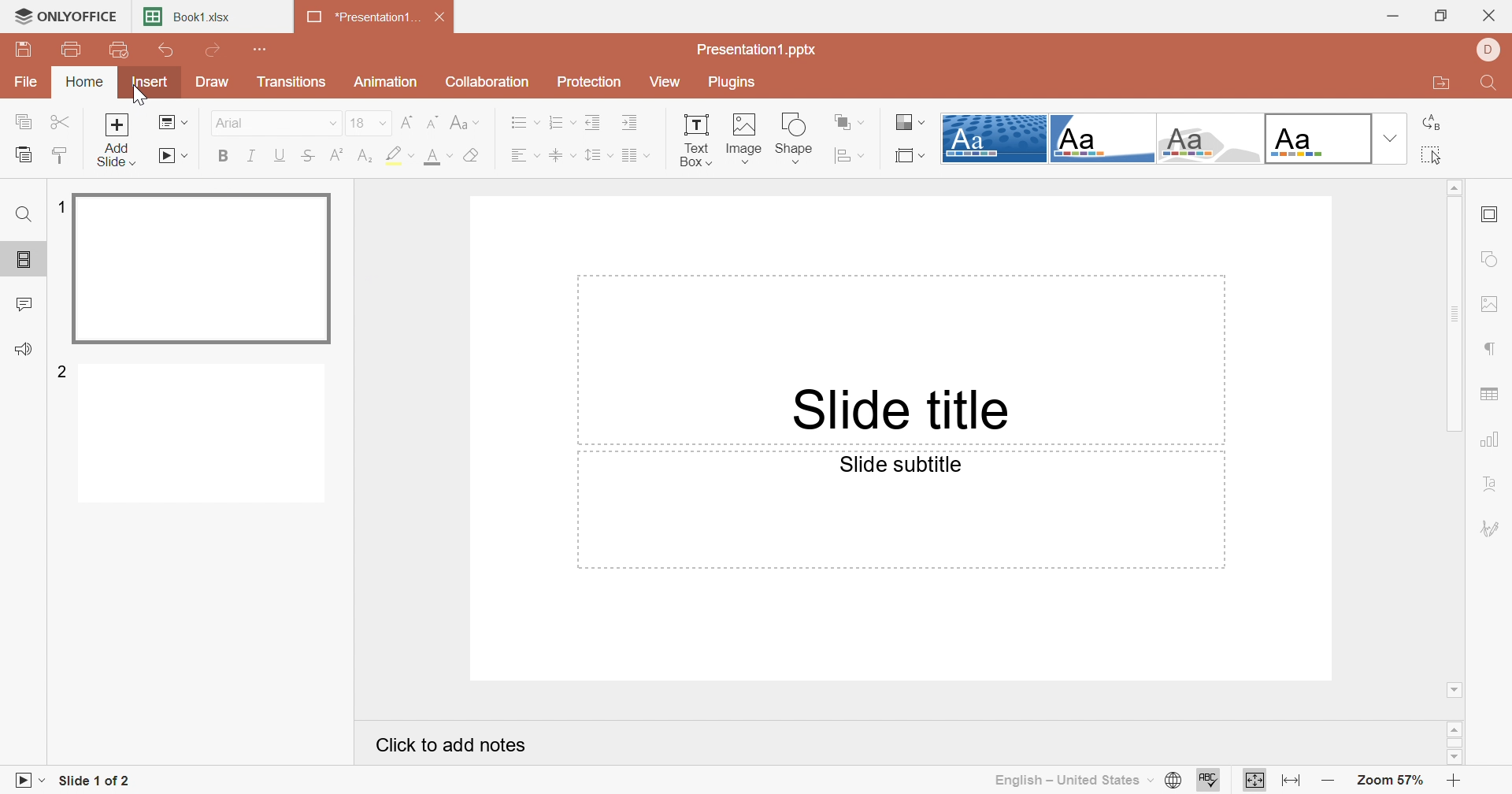  Describe the element at coordinates (1492, 17) in the screenshot. I see `Close` at that location.